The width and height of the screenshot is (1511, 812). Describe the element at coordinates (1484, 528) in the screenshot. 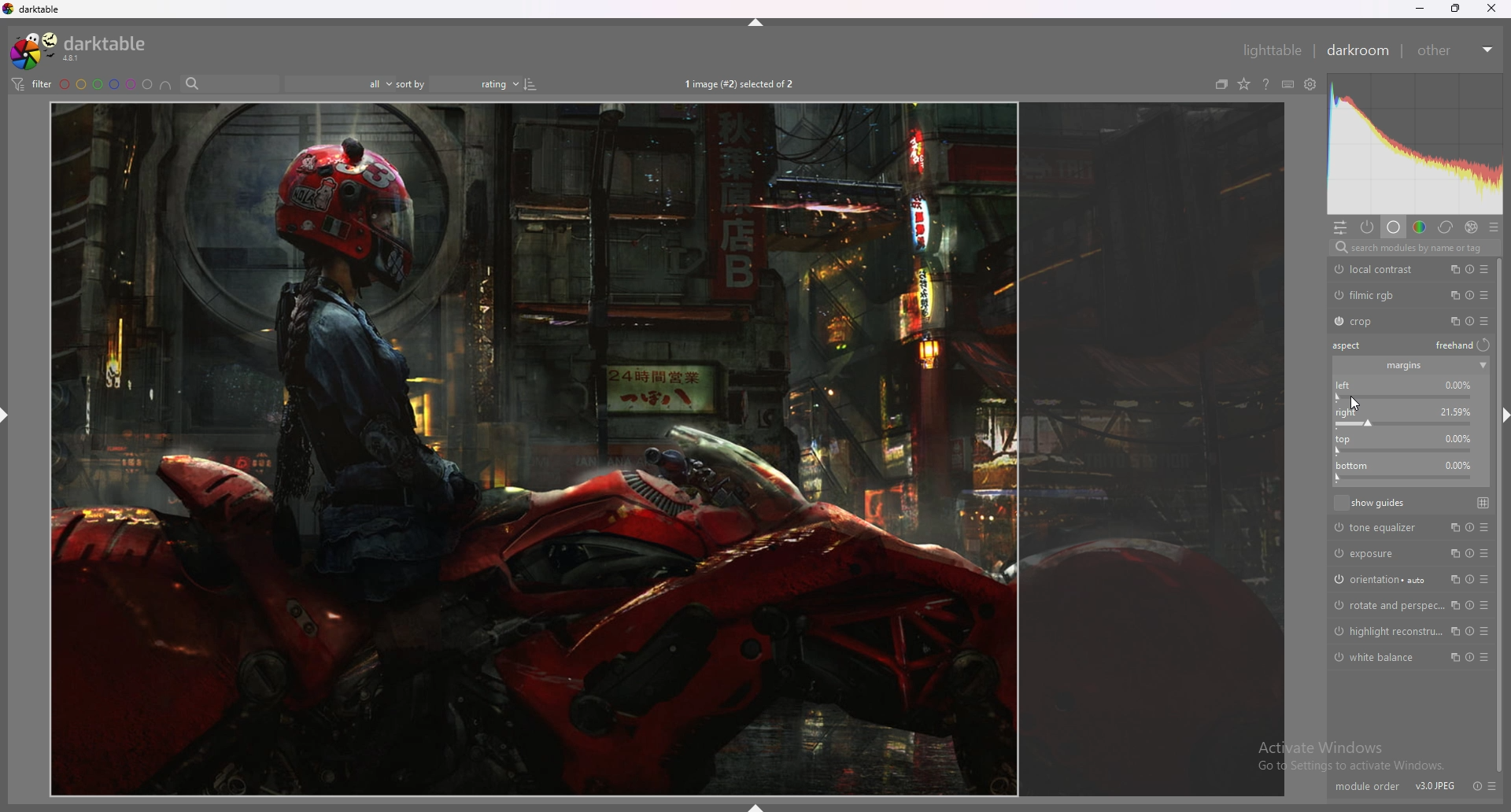

I see `presets` at that location.